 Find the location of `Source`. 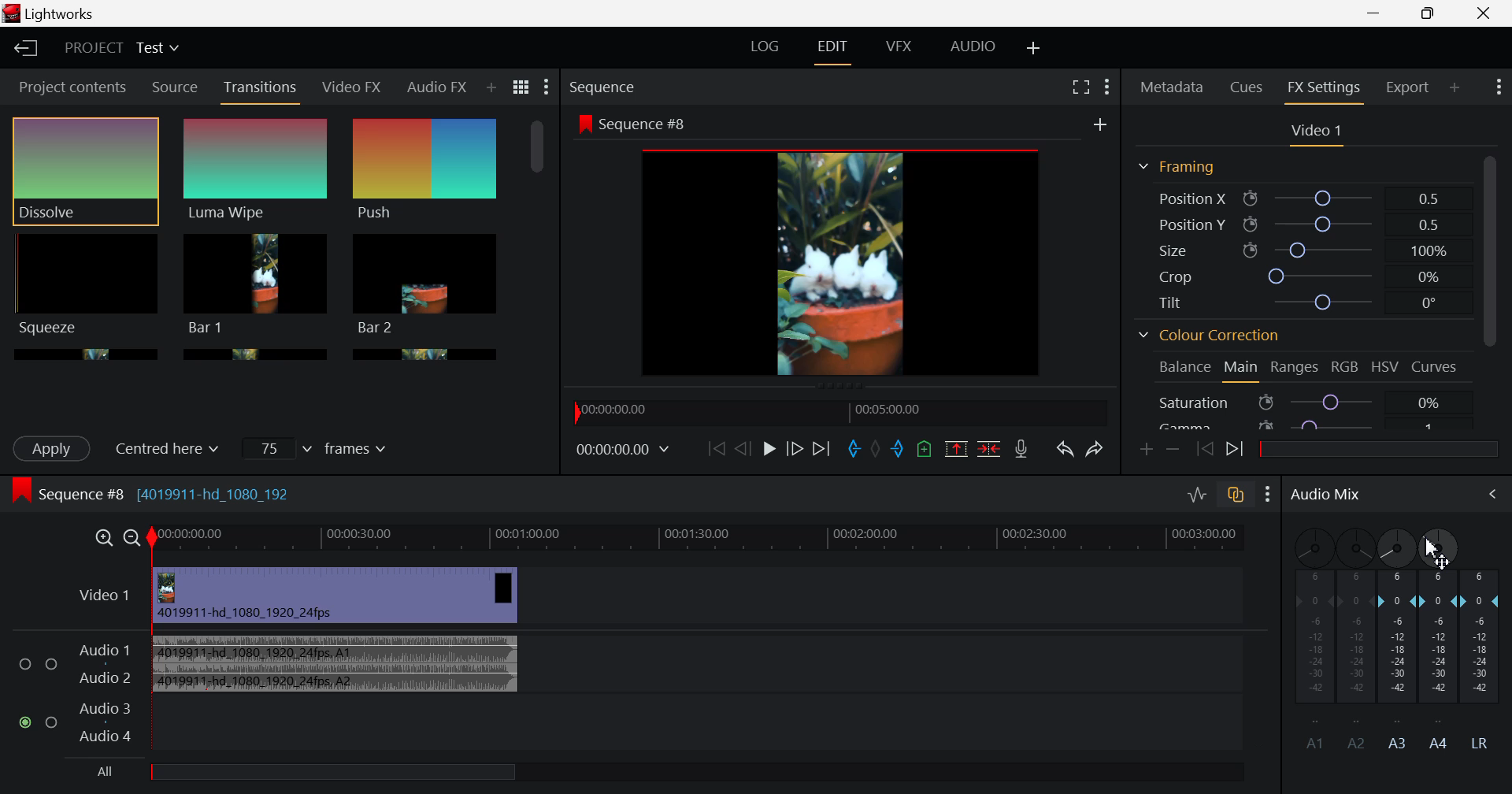

Source is located at coordinates (176, 86).